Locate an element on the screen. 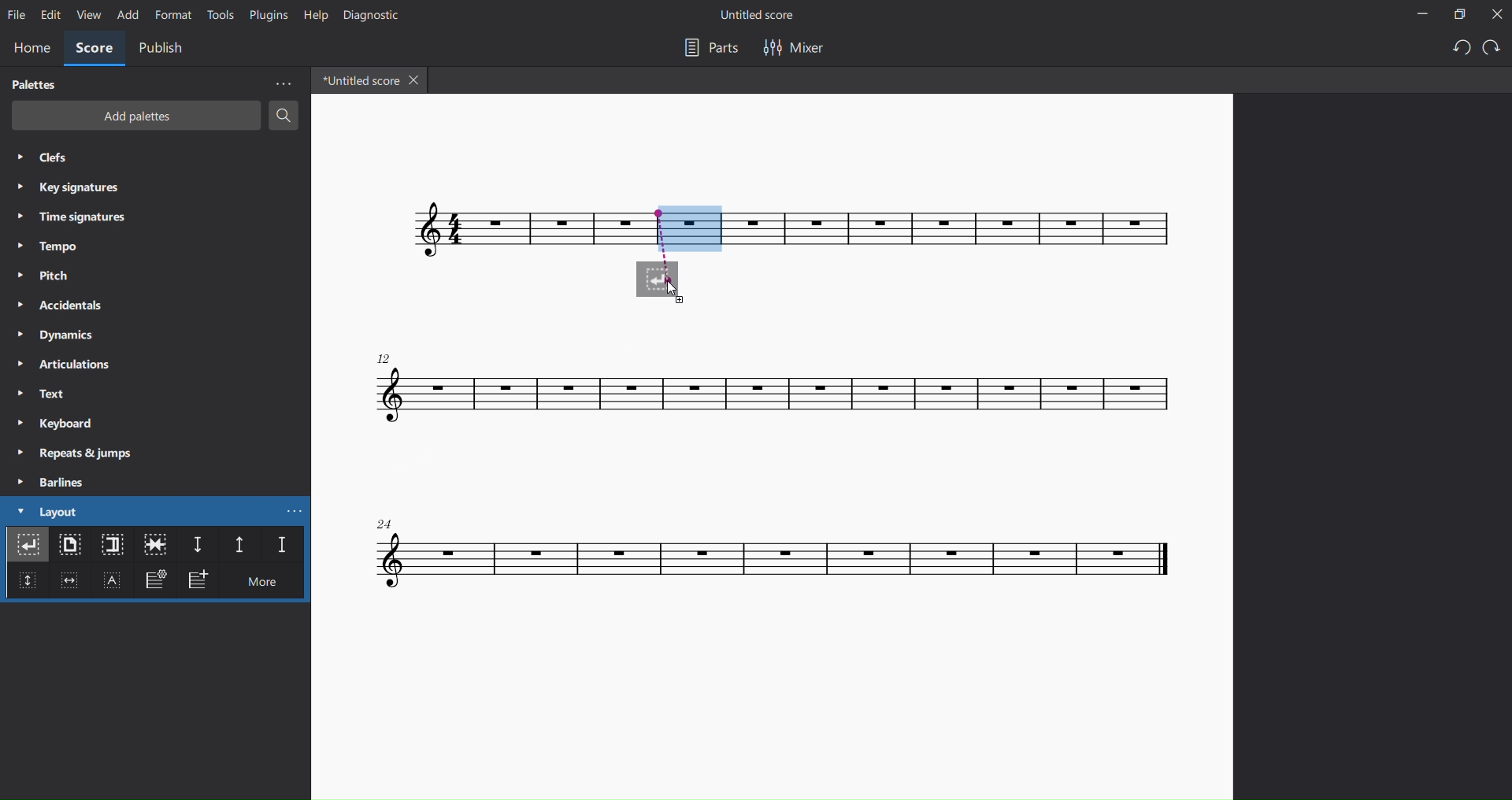  score is located at coordinates (965, 233).